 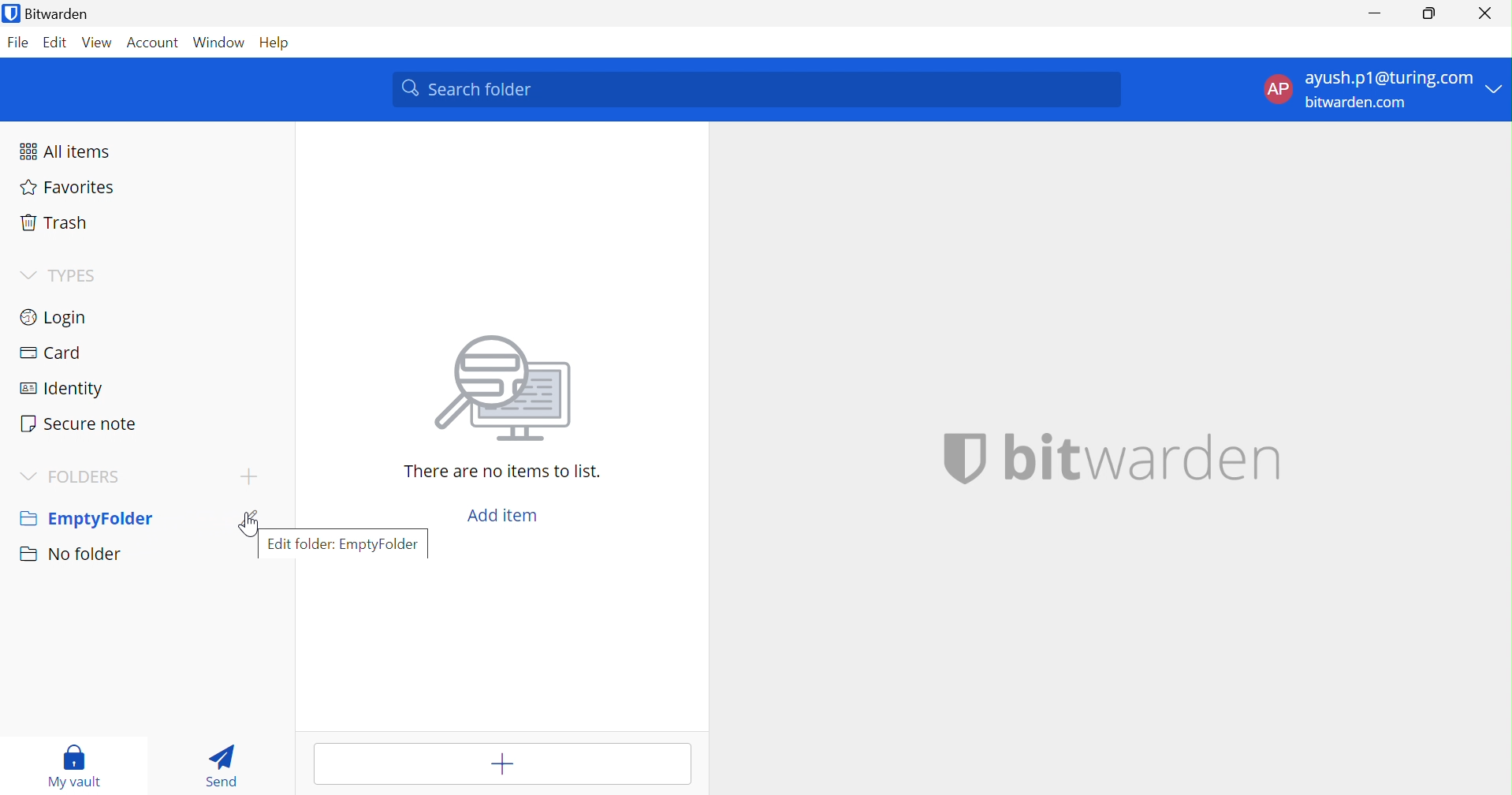 What do you see at coordinates (87, 277) in the screenshot?
I see `TYPES` at bounding box center [87, 277].